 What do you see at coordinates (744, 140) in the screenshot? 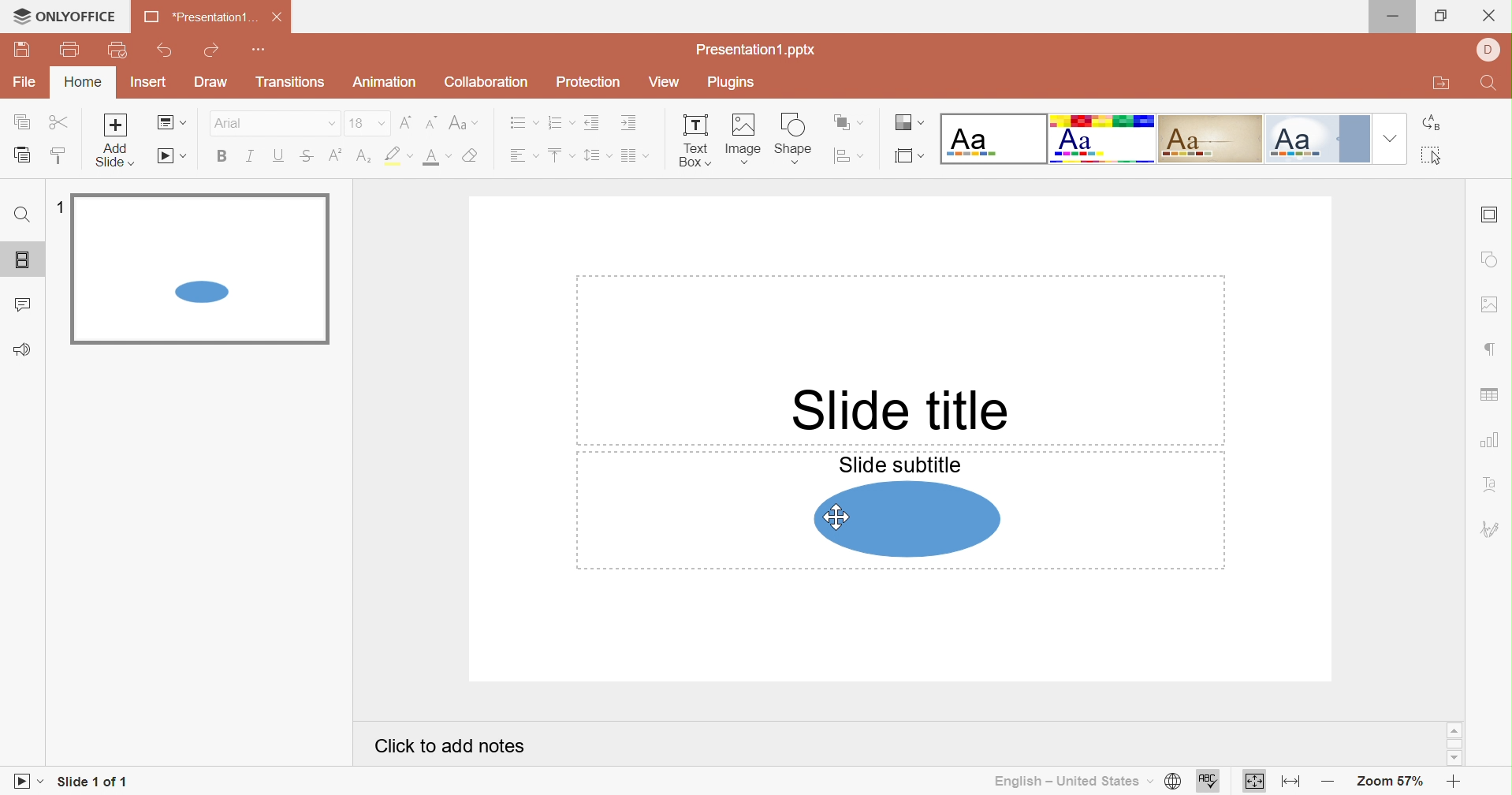
I see `Image` at bounding box center [744, 140].